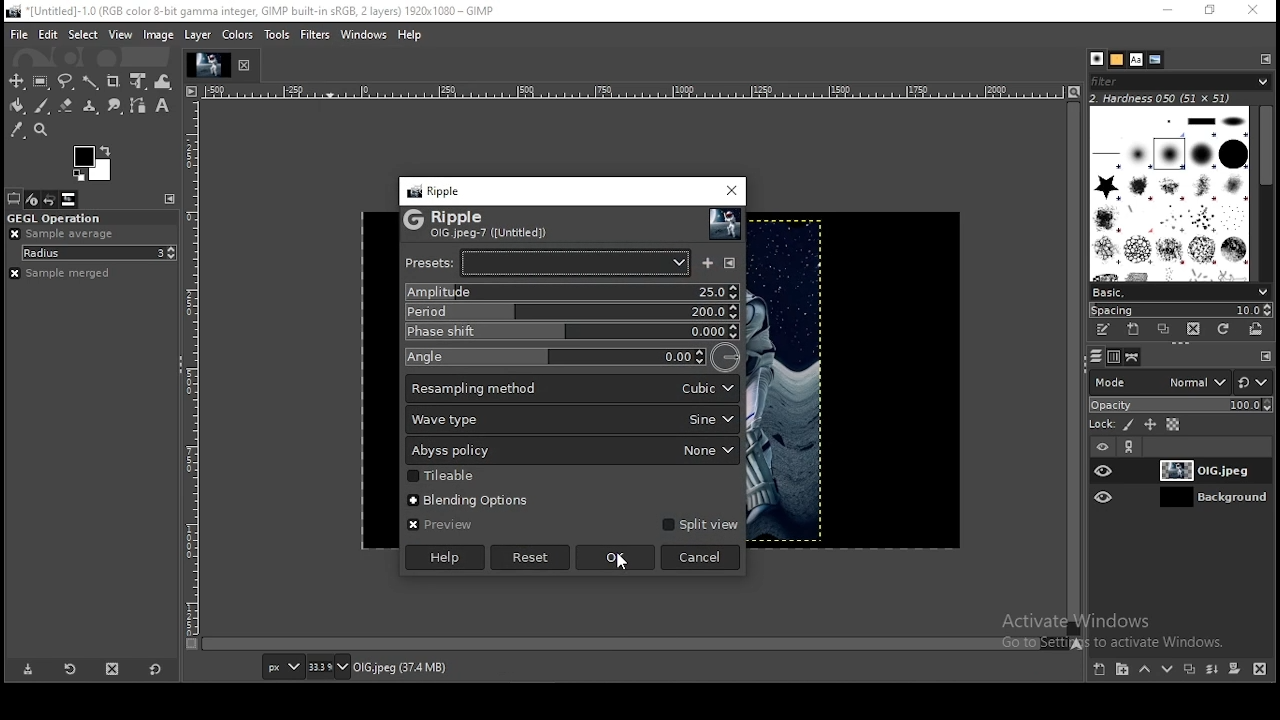 This screenshot has width=1280, height=720. What do you see at coordinates (315, 35) in the screenshot?
I see `filters` at bounding box center [315, 35].